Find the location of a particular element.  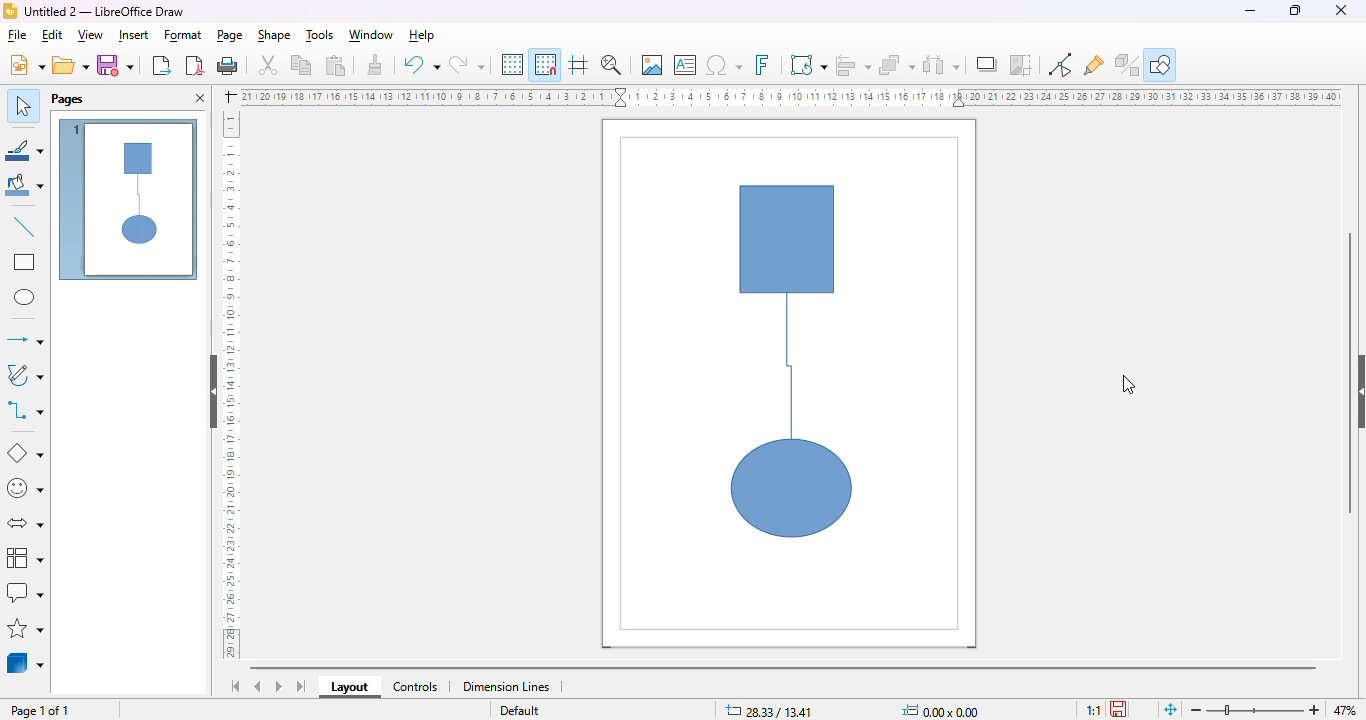

Default is located at coordinates (517, 711).